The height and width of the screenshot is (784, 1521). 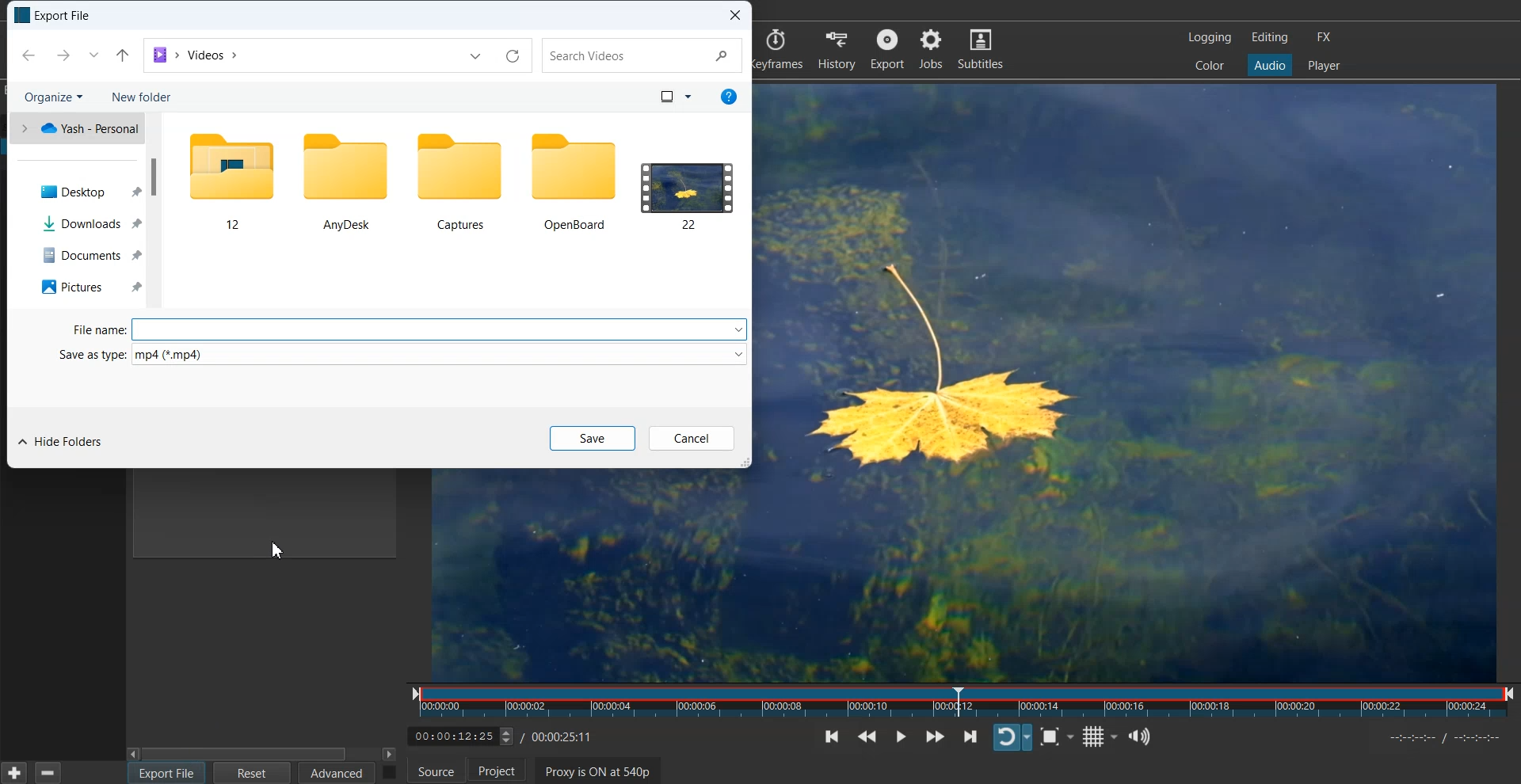 What do you see at coordinates (93, 250) in the screenshot?
I see `Documents` at bounding box center [93, 250].